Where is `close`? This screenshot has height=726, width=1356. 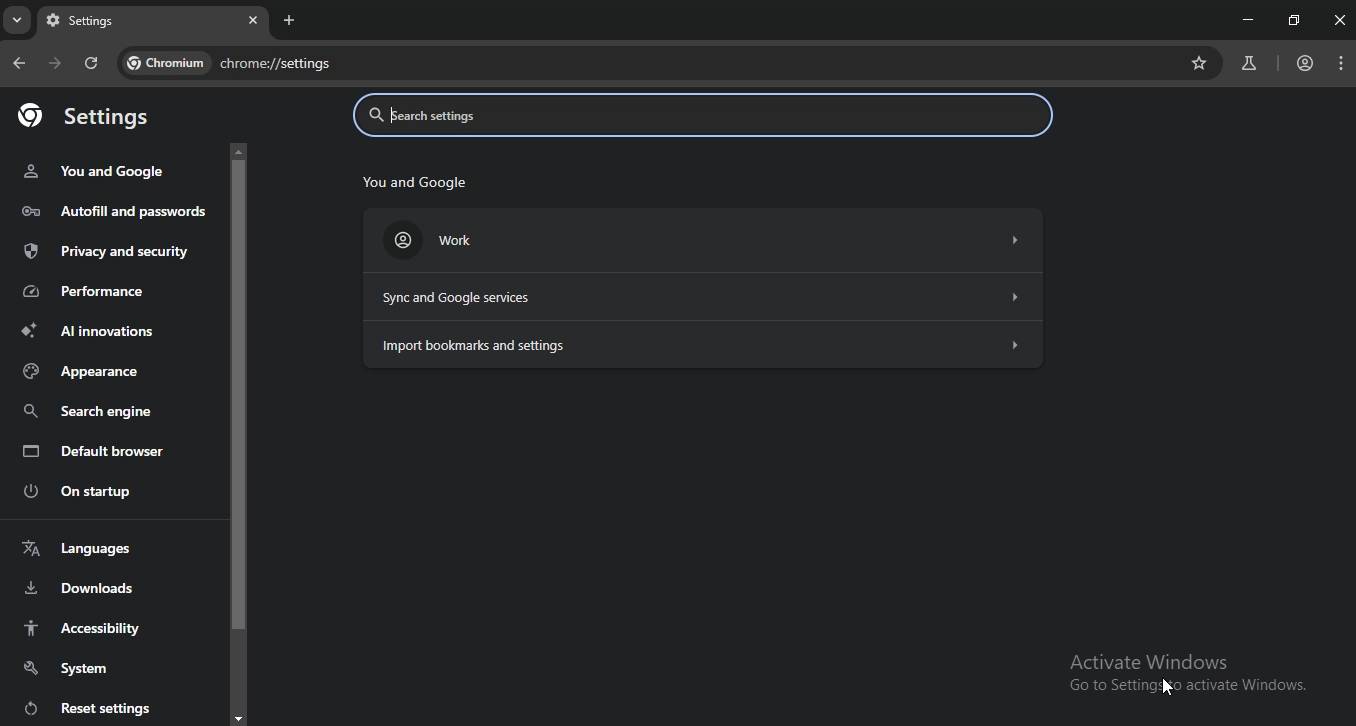 close is located at coordinates (1340, 20).